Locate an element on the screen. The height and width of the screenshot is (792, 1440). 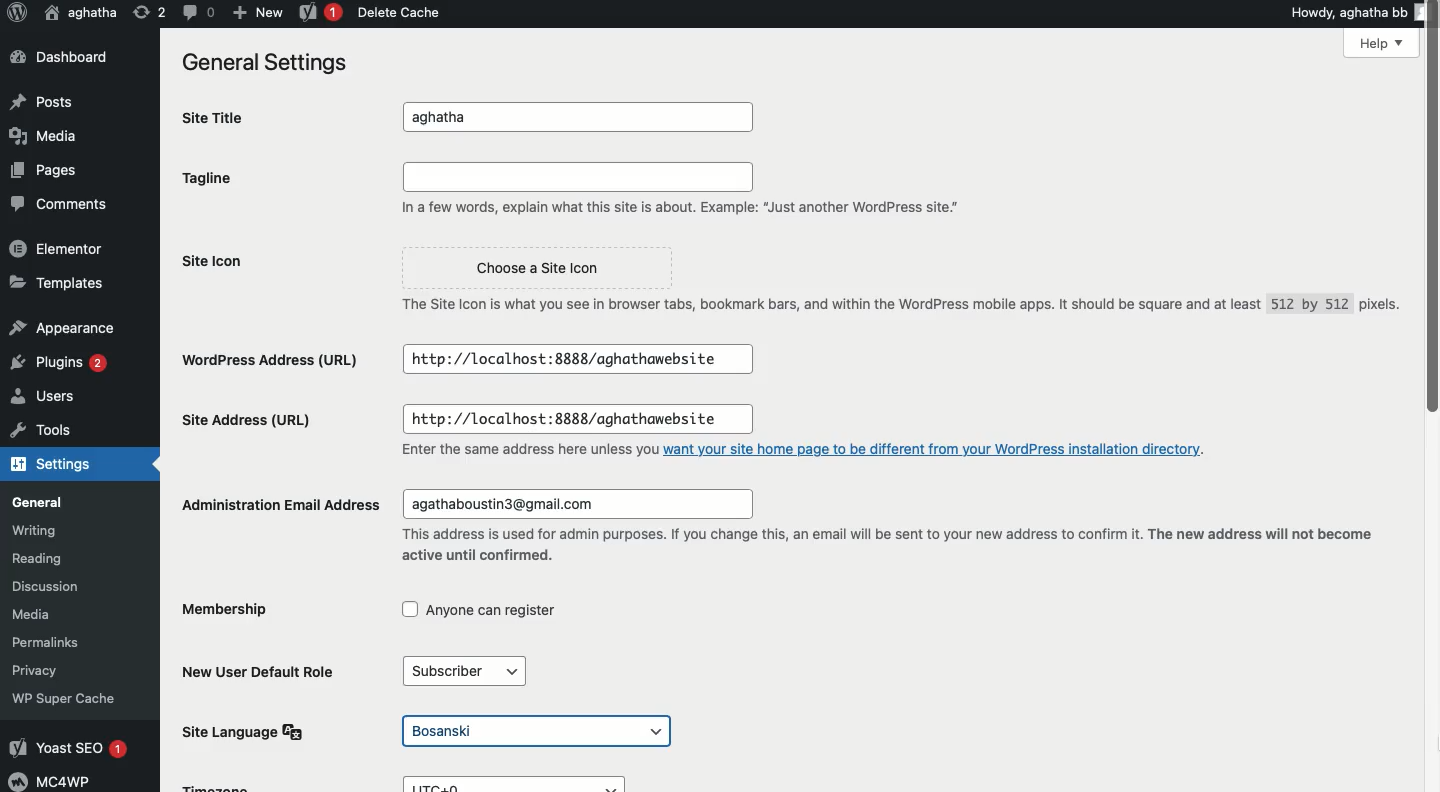
General settings is located at coordinates (260, 61).